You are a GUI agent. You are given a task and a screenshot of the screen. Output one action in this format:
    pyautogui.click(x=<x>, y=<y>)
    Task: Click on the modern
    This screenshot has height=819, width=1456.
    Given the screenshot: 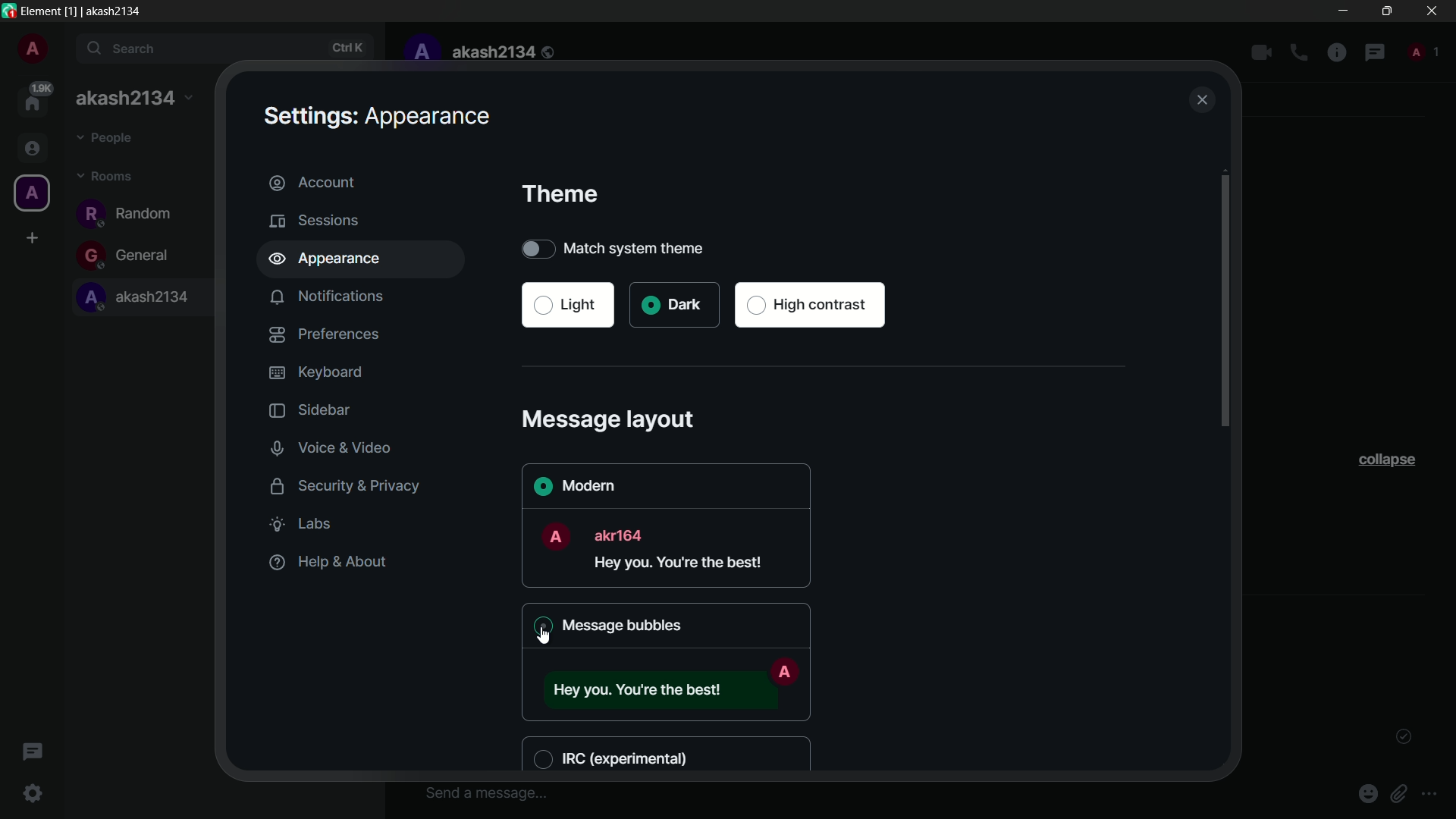 What is the action you would take?
    pyautogui.click(x=573, y=485)
    